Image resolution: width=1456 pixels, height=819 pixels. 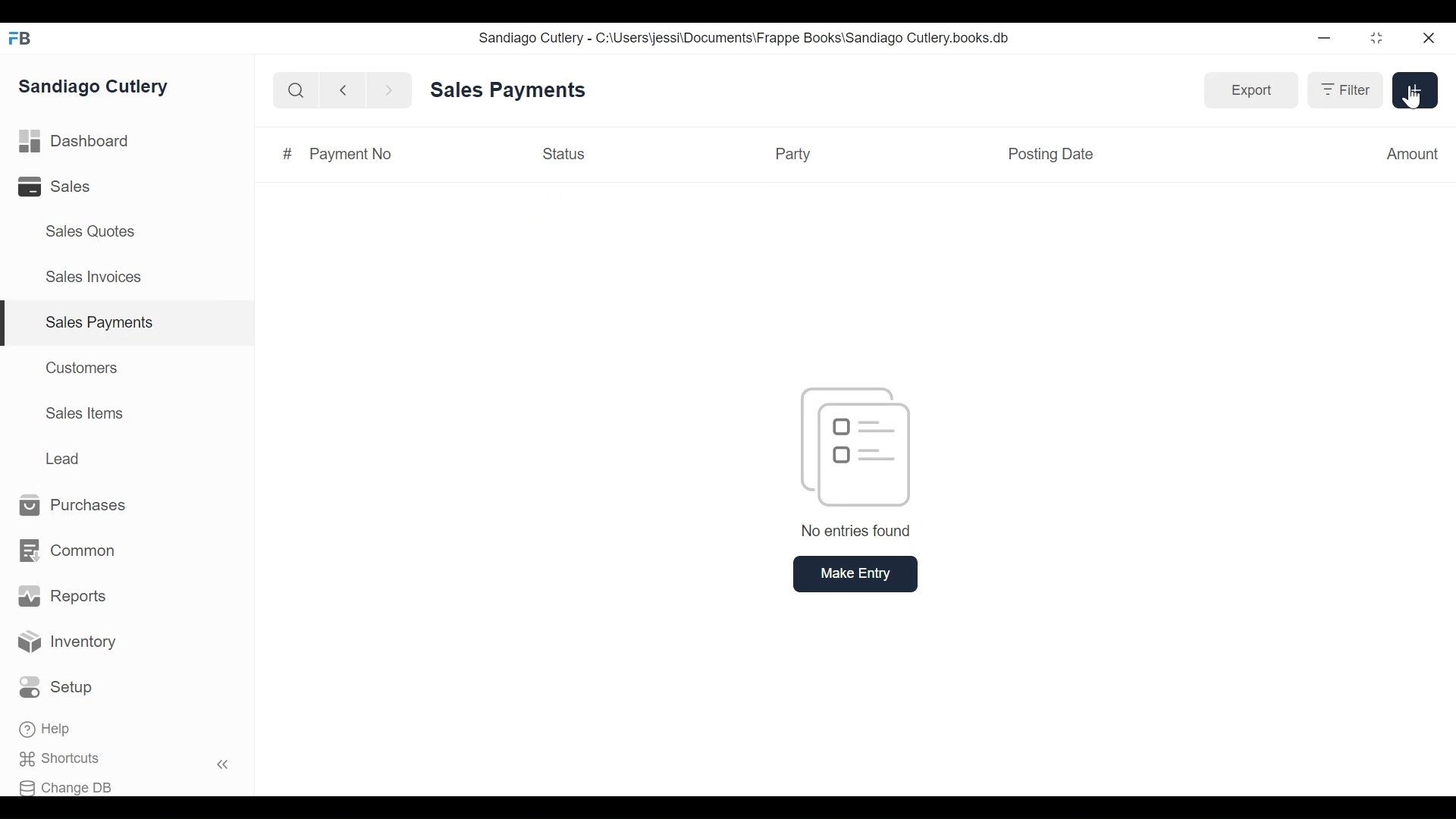 What do you see at coordinates (1324, 39) in the screenshot?
I see `Minimize` at bounding box center [1324, 39].